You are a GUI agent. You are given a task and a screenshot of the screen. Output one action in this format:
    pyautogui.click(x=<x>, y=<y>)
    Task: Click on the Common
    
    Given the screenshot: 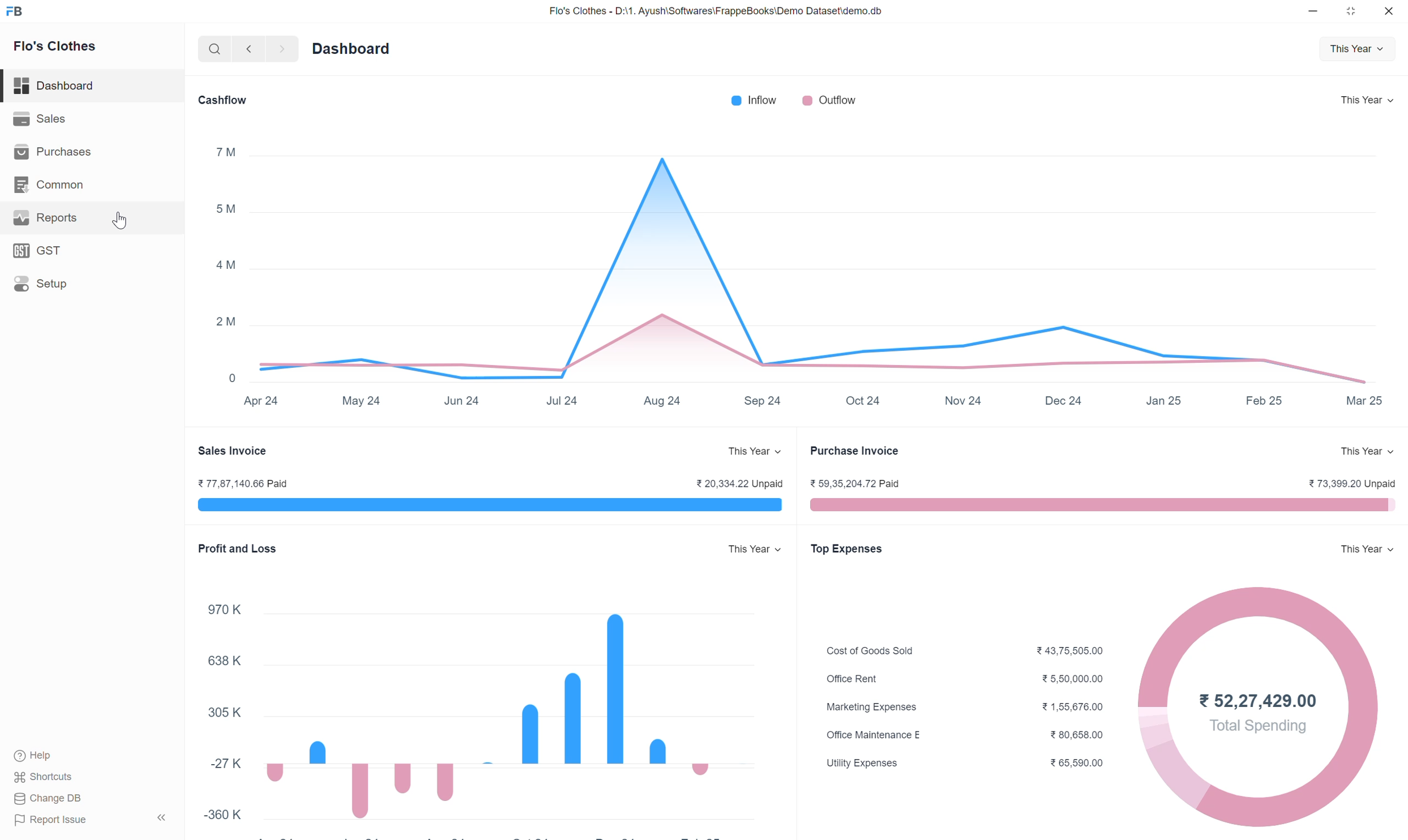 What is the action you would take?
    pyautogui.click(x=56, y=186)
    